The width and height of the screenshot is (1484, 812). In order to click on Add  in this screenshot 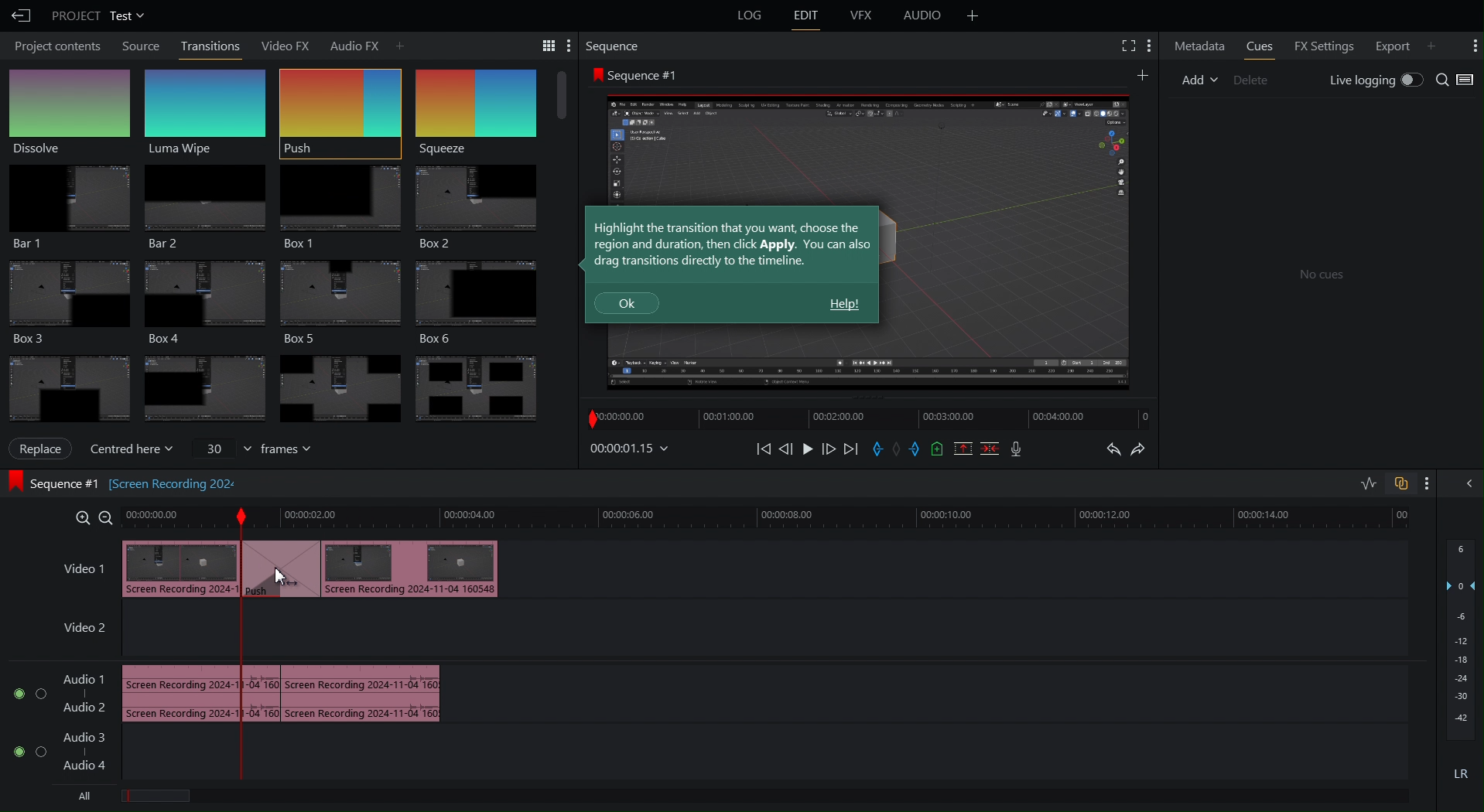, I will do `click(1198, 80)`.